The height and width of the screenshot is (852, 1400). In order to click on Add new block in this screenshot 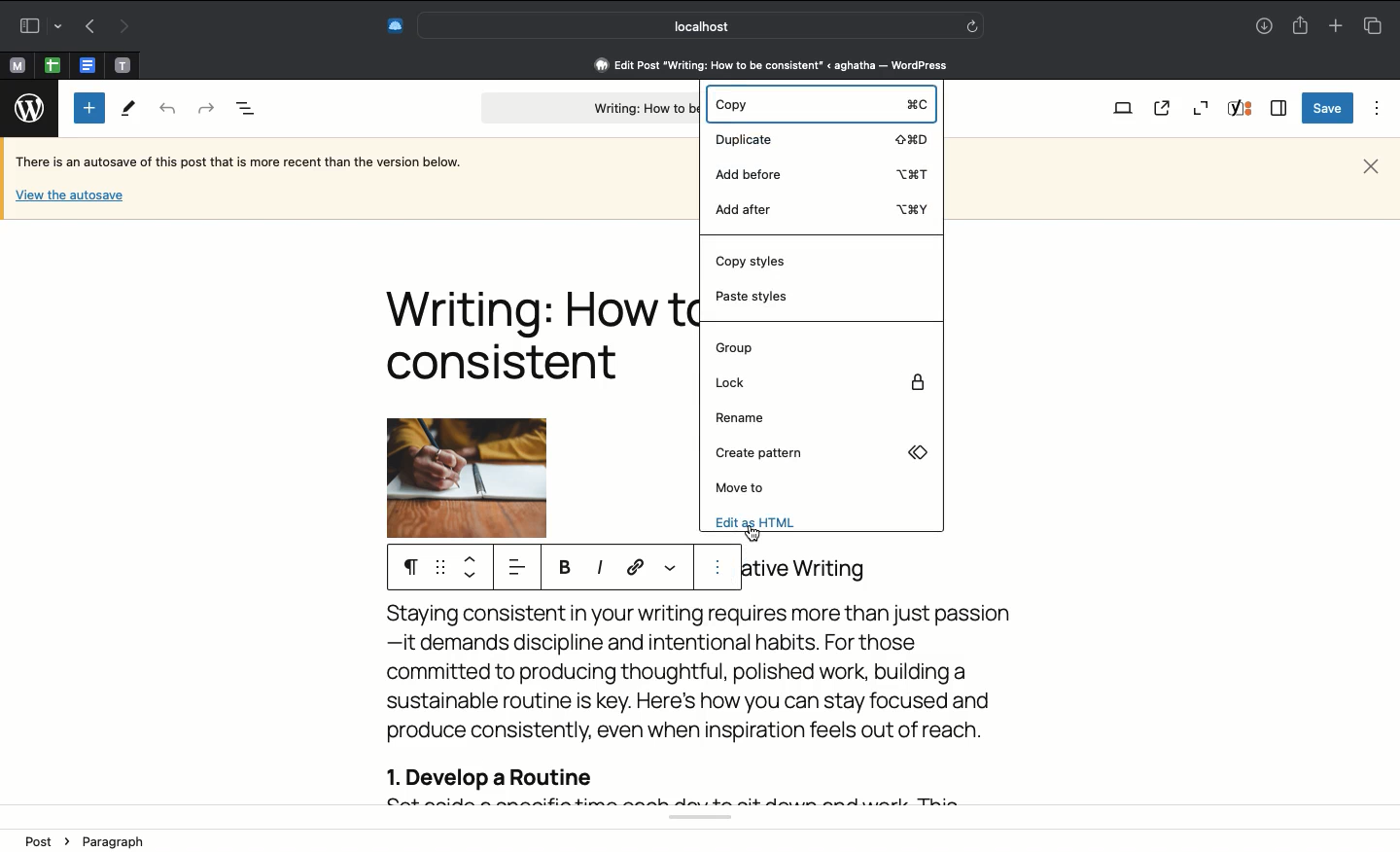, I will do `click(89, 108)`.